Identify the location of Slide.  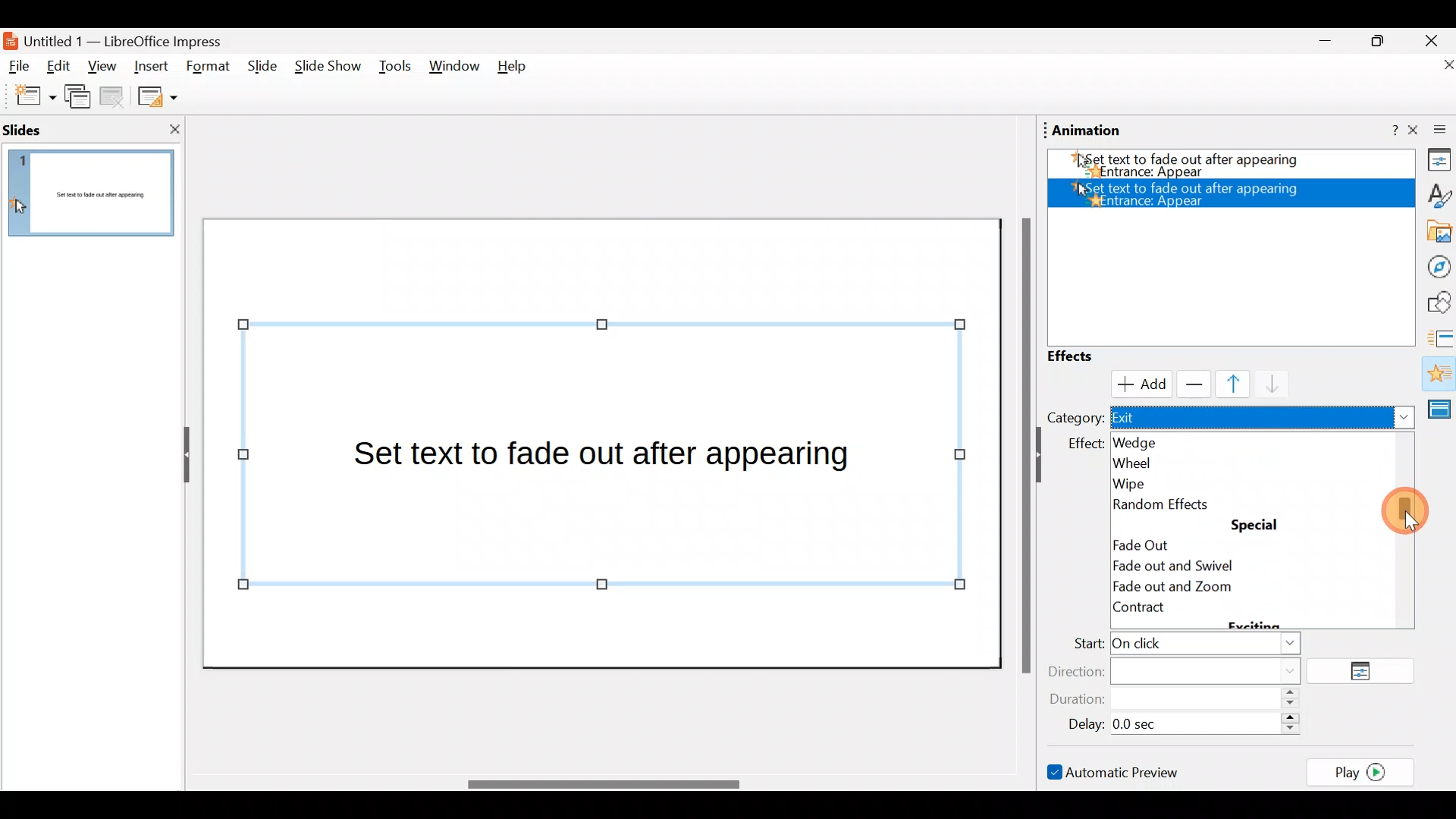
(259, 67).